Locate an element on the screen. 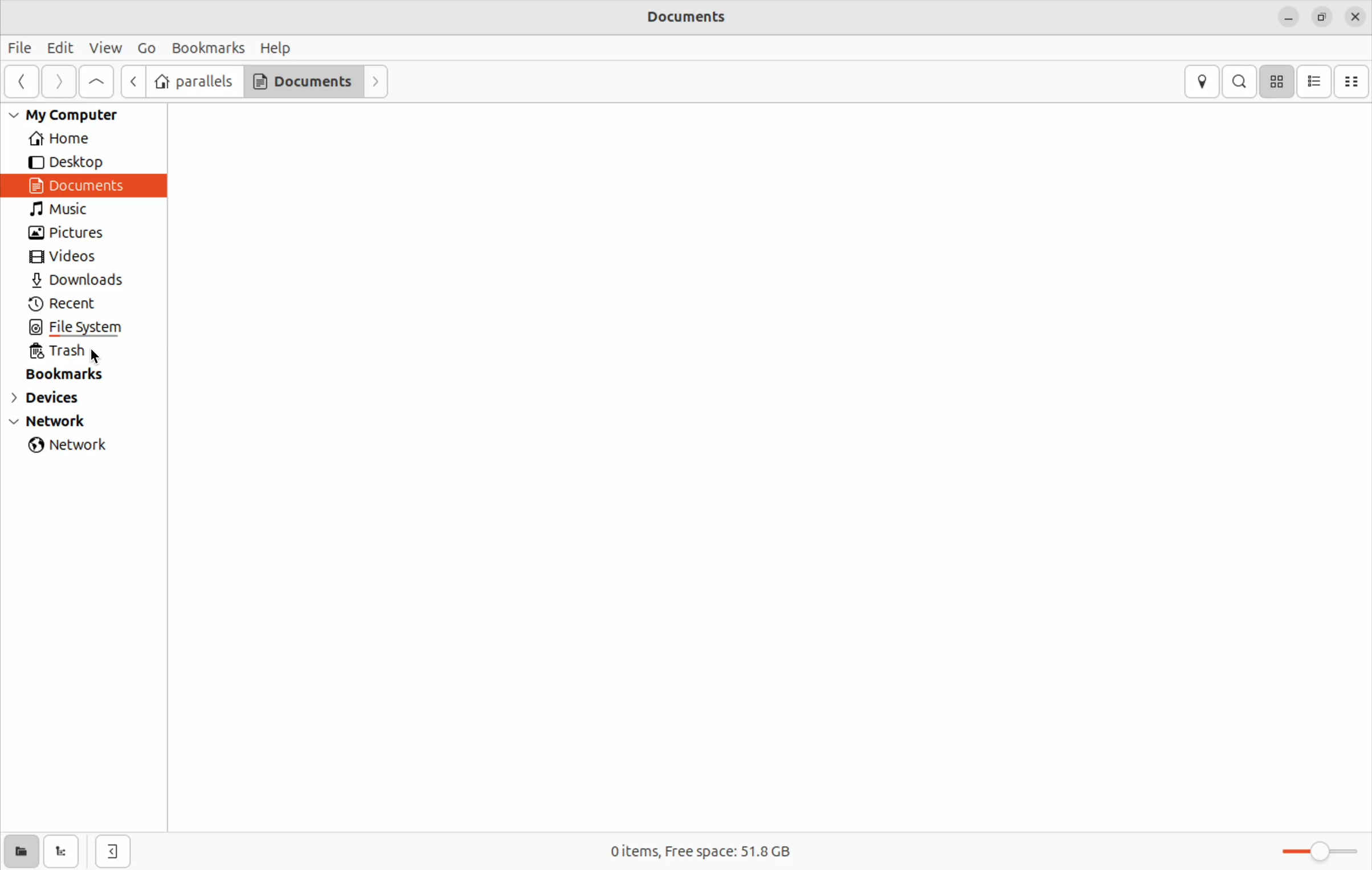  file system is located at coordinates (99, 329).